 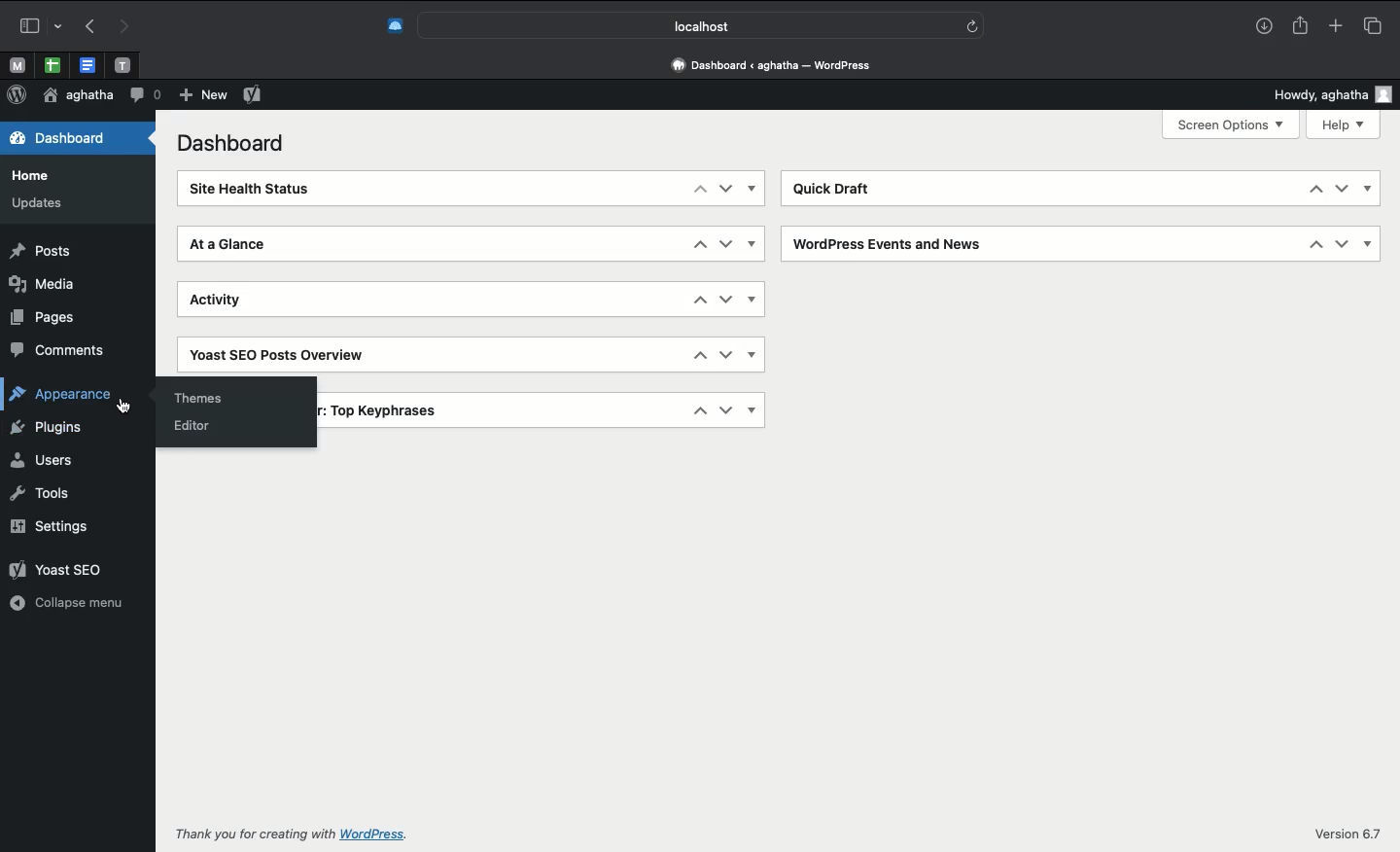 I want to click on At a glance, so click(x=241, y=247).